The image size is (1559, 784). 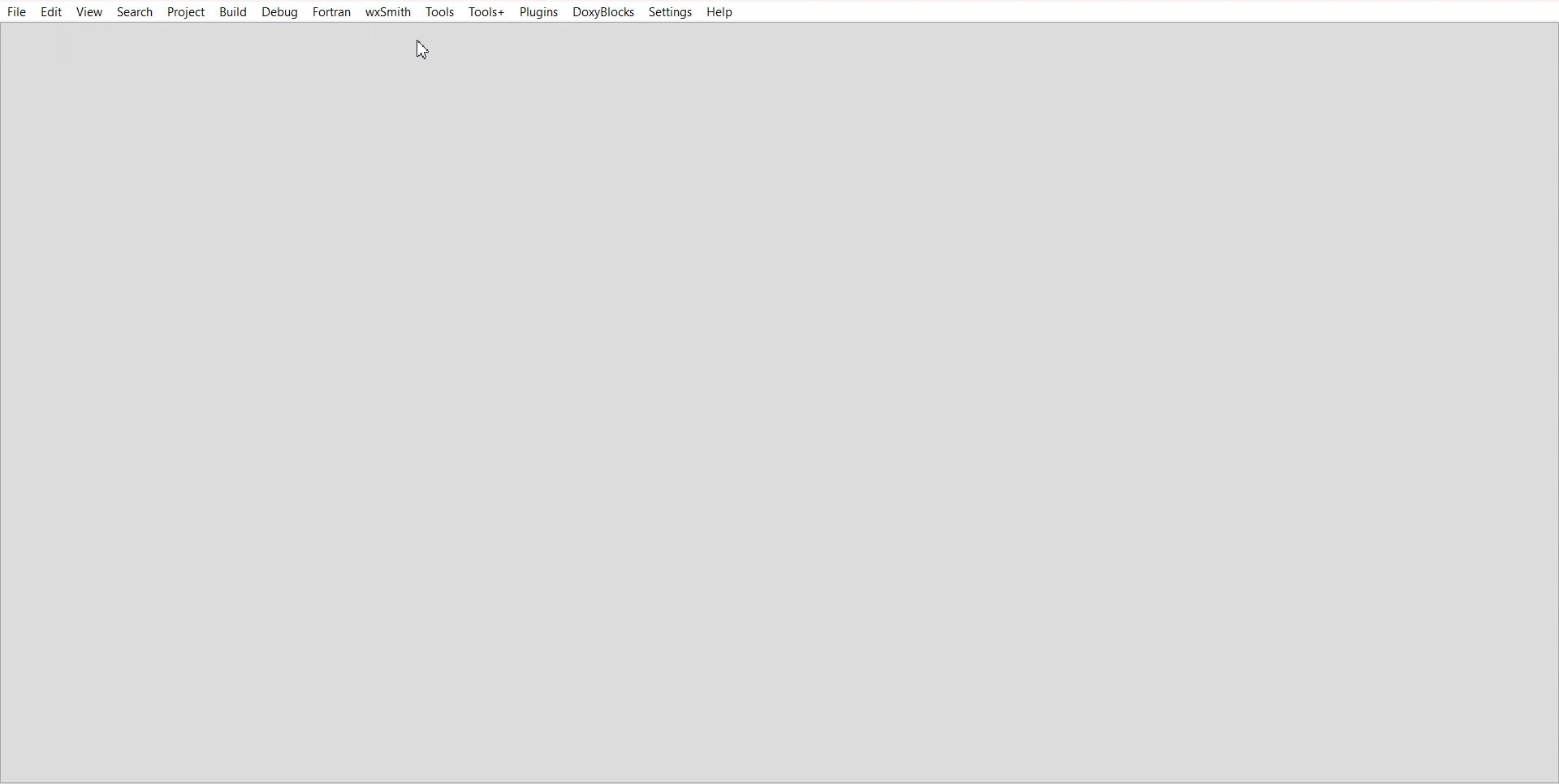 I want to click on Fortran, so click(x=332, y=12).